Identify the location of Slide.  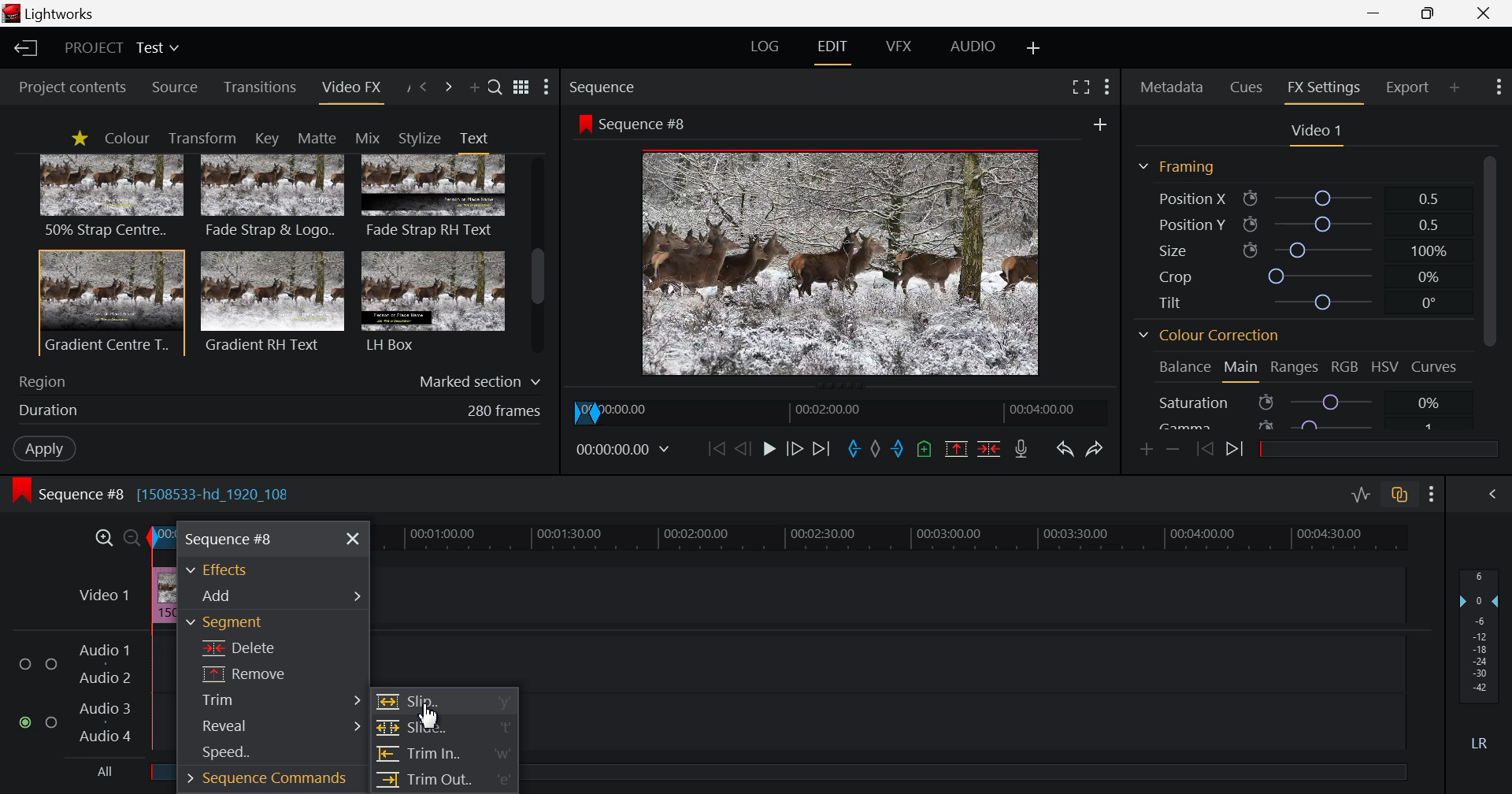
(443, 728).